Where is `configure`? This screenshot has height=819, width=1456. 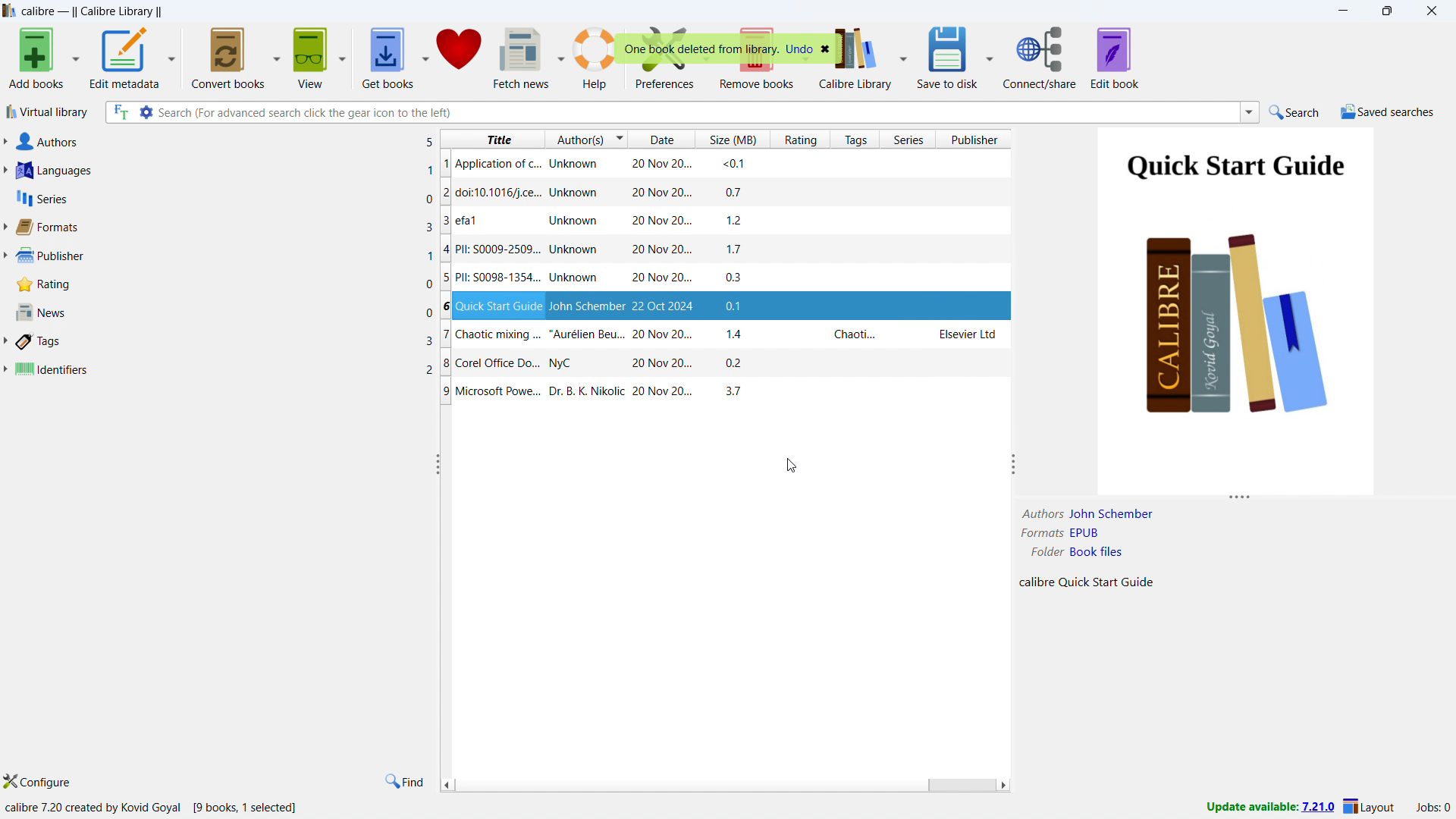
configure is located at coordinates (36, 780).